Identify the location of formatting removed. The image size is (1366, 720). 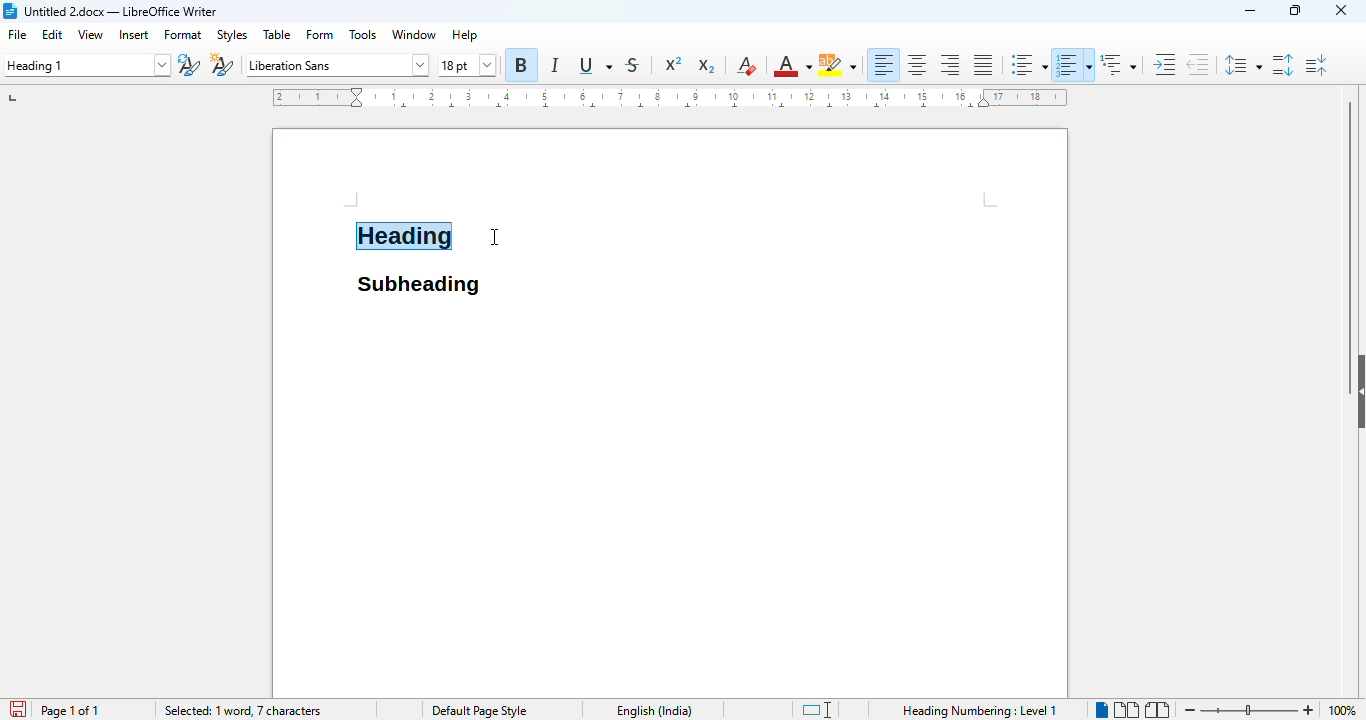
(404, 238).